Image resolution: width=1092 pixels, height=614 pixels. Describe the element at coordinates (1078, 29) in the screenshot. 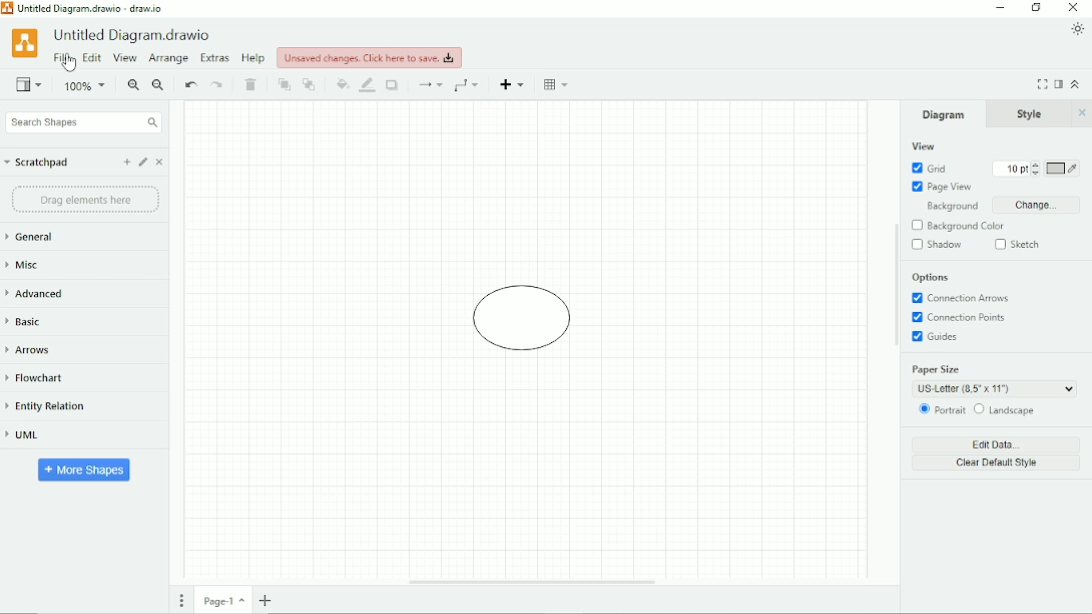

I see `Appearance` at that location.